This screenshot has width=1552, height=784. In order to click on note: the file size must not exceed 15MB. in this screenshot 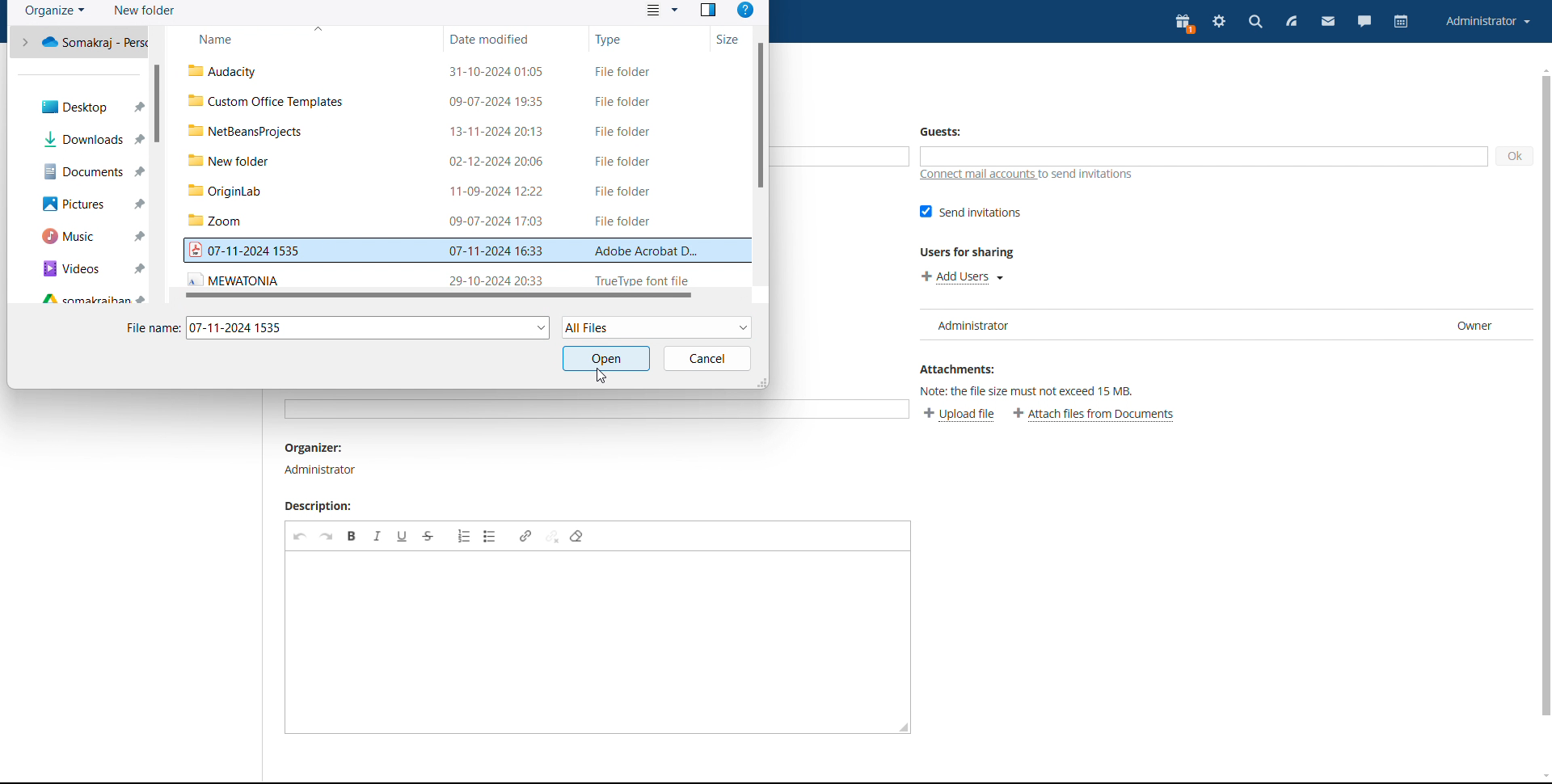, I will do `click(1027, 393)`.